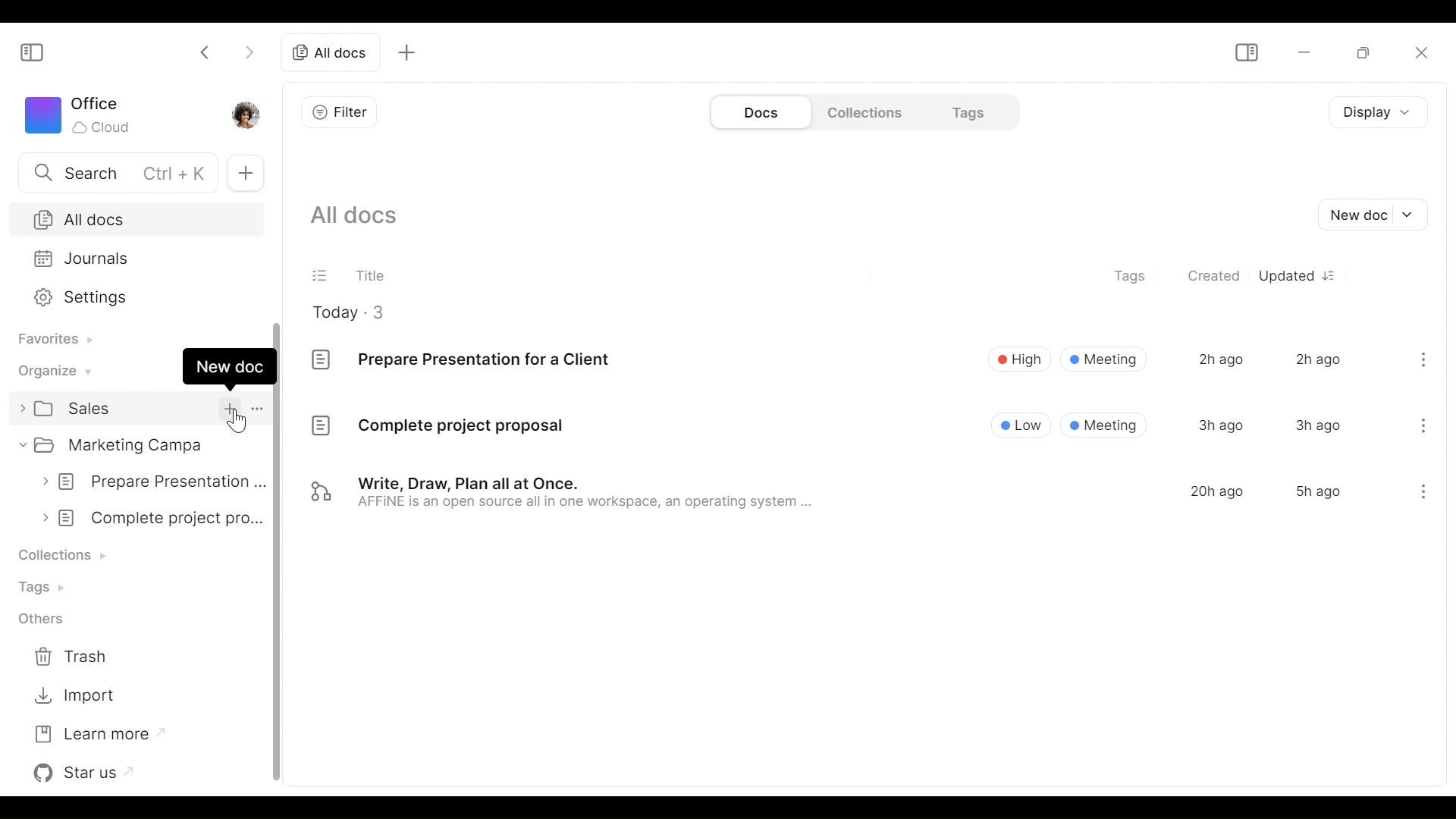 The image size is (1456, 819). I want to click on All Docs, so click(134, 219).